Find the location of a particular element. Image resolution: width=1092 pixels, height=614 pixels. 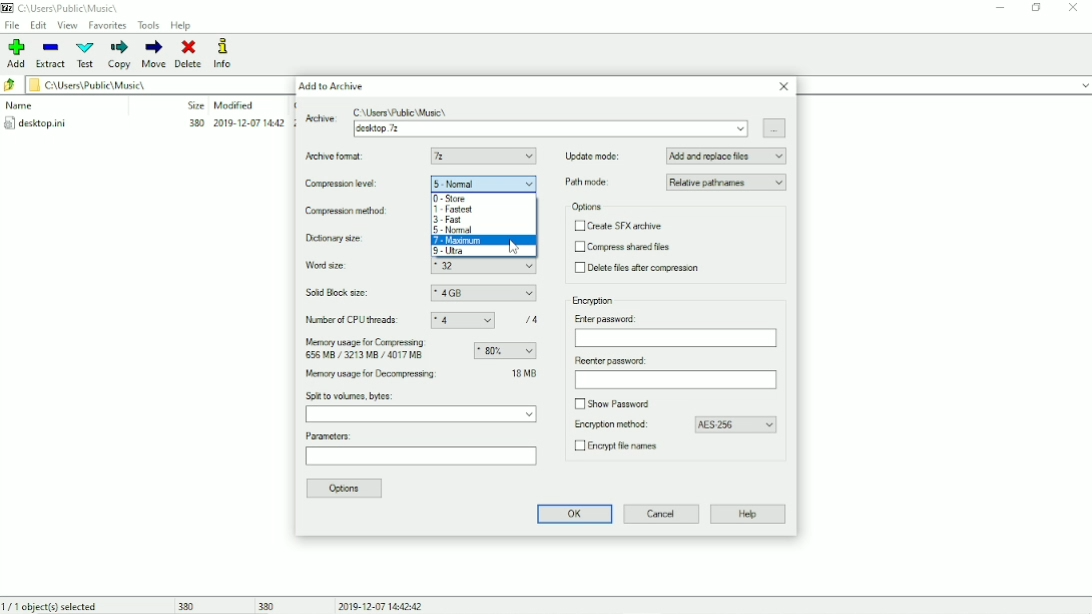

Path mode is located at coordinates (590, 182).